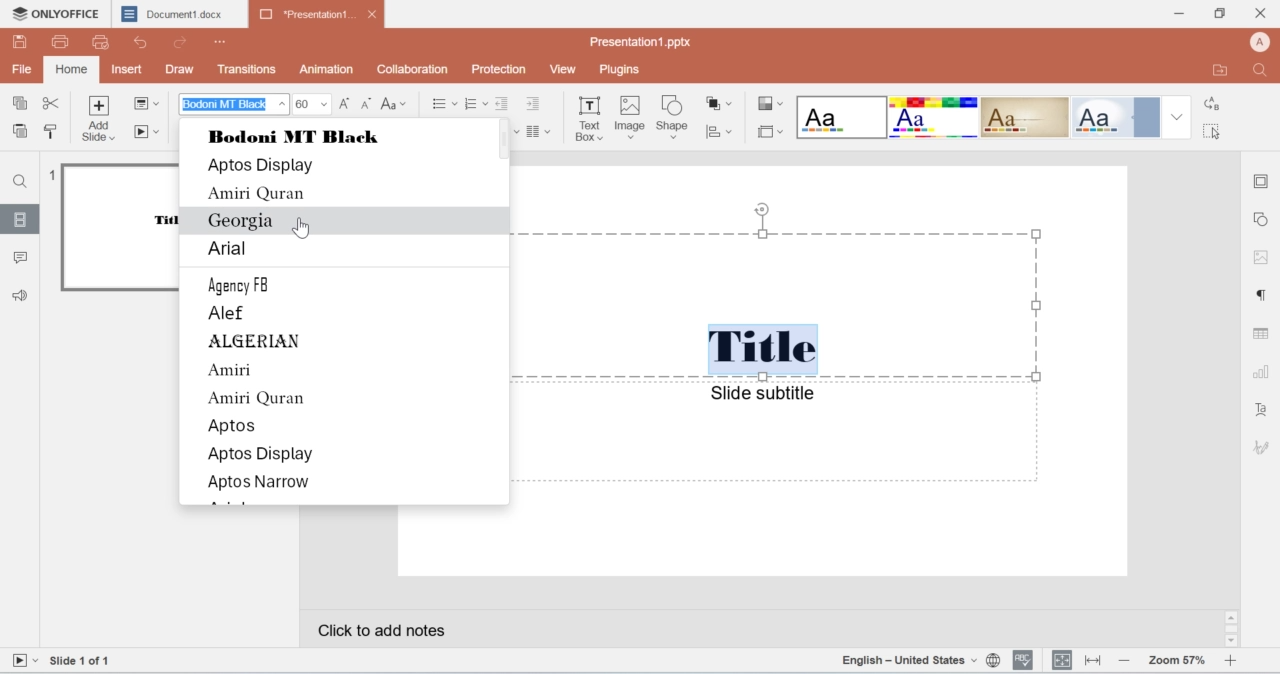 The height and width of the screenshot is (674, 1280). Describe the element at coordinates (21, 222) in the screenshot. I see `slides` at that location.